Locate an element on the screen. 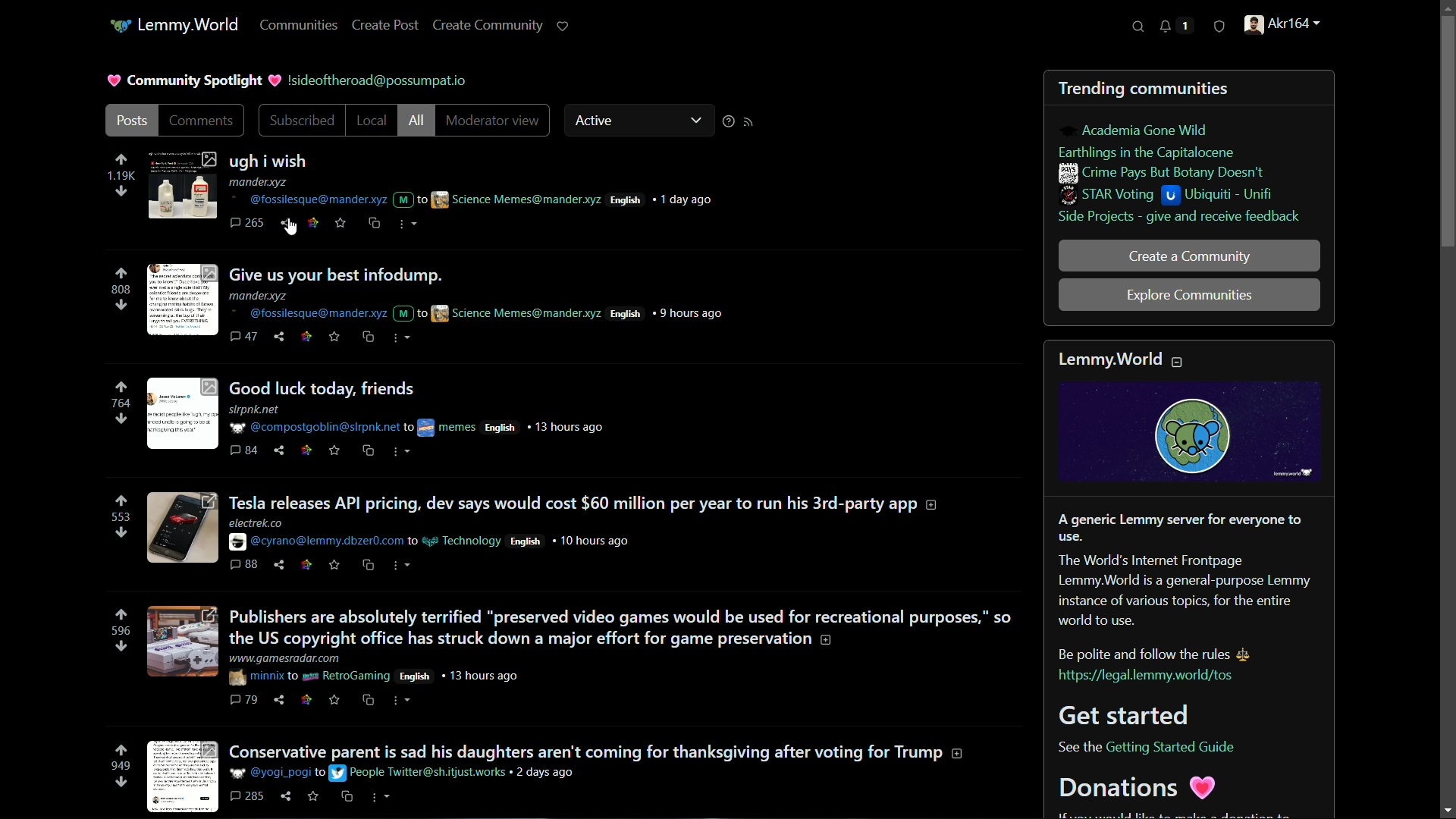 Image resolution: width=1456 pixels, height=819 pixels. https://legal.lemmy.world/tos is located at coordinates (1144, 676).